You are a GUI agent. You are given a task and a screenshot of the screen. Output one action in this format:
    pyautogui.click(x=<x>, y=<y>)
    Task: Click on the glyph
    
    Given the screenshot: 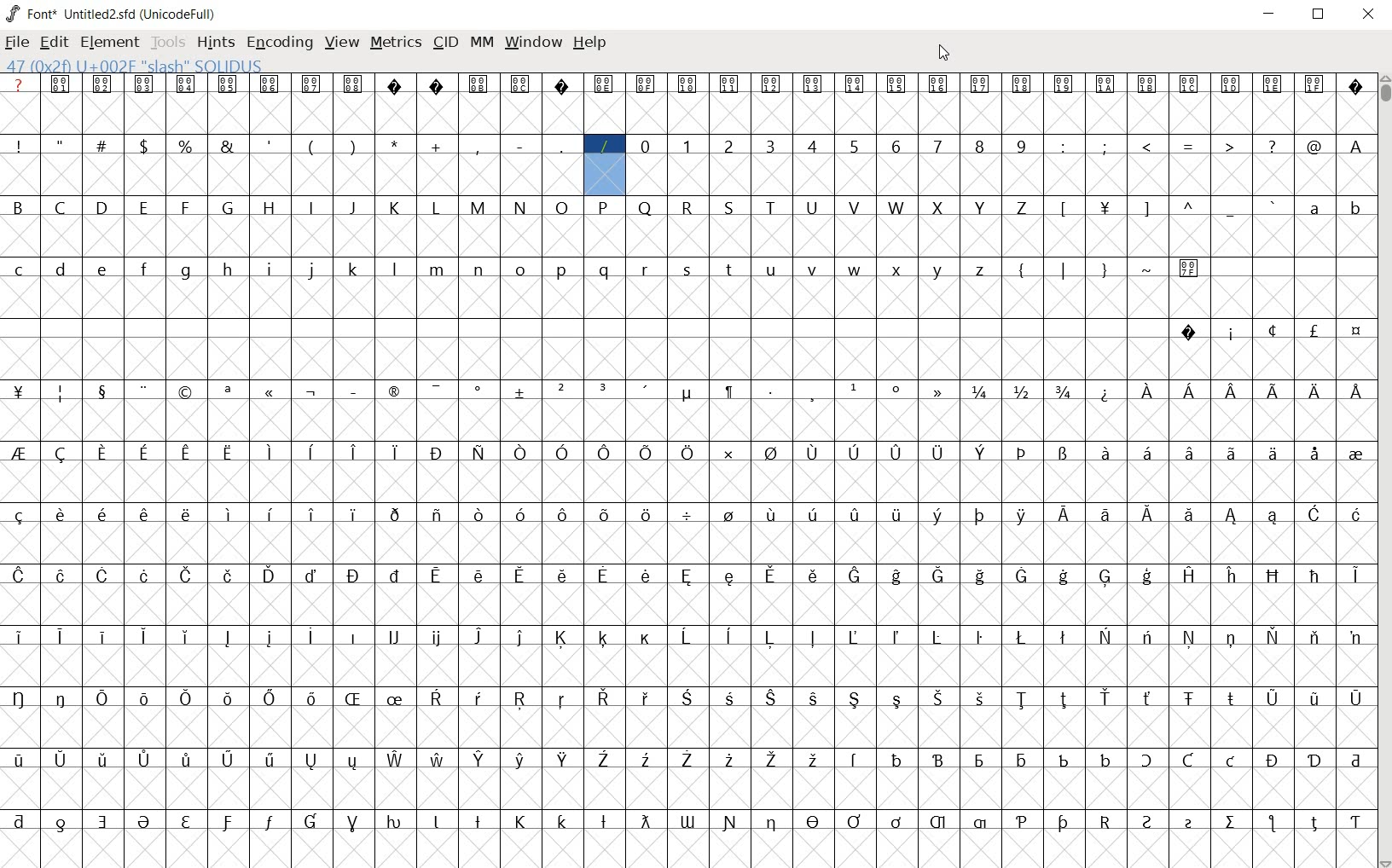 What is the action you would take?
    pyautogui.click(x=188, y=576)
    